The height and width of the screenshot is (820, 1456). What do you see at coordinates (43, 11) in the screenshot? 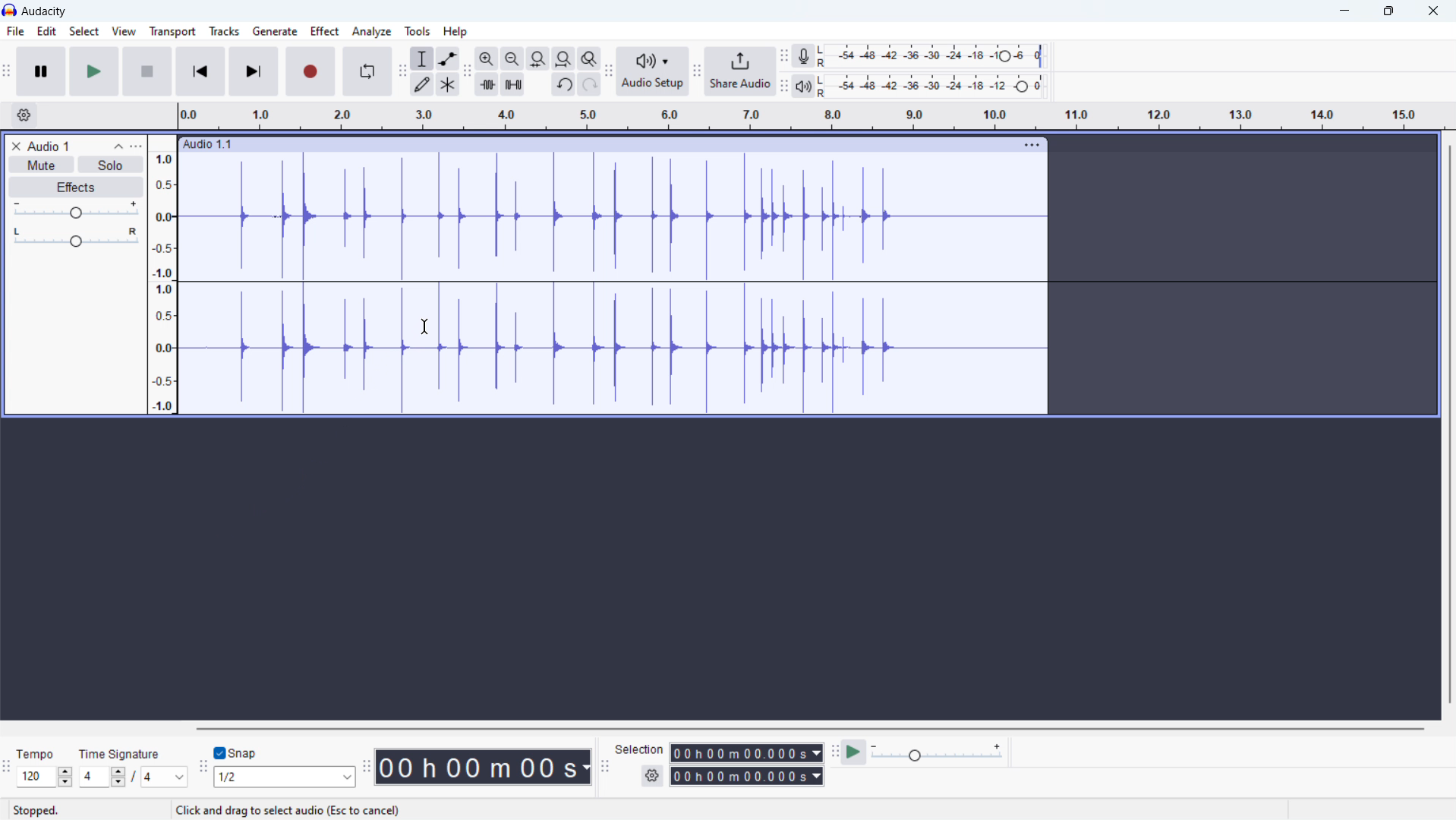
I see `title` at bounding box center [43, 11].